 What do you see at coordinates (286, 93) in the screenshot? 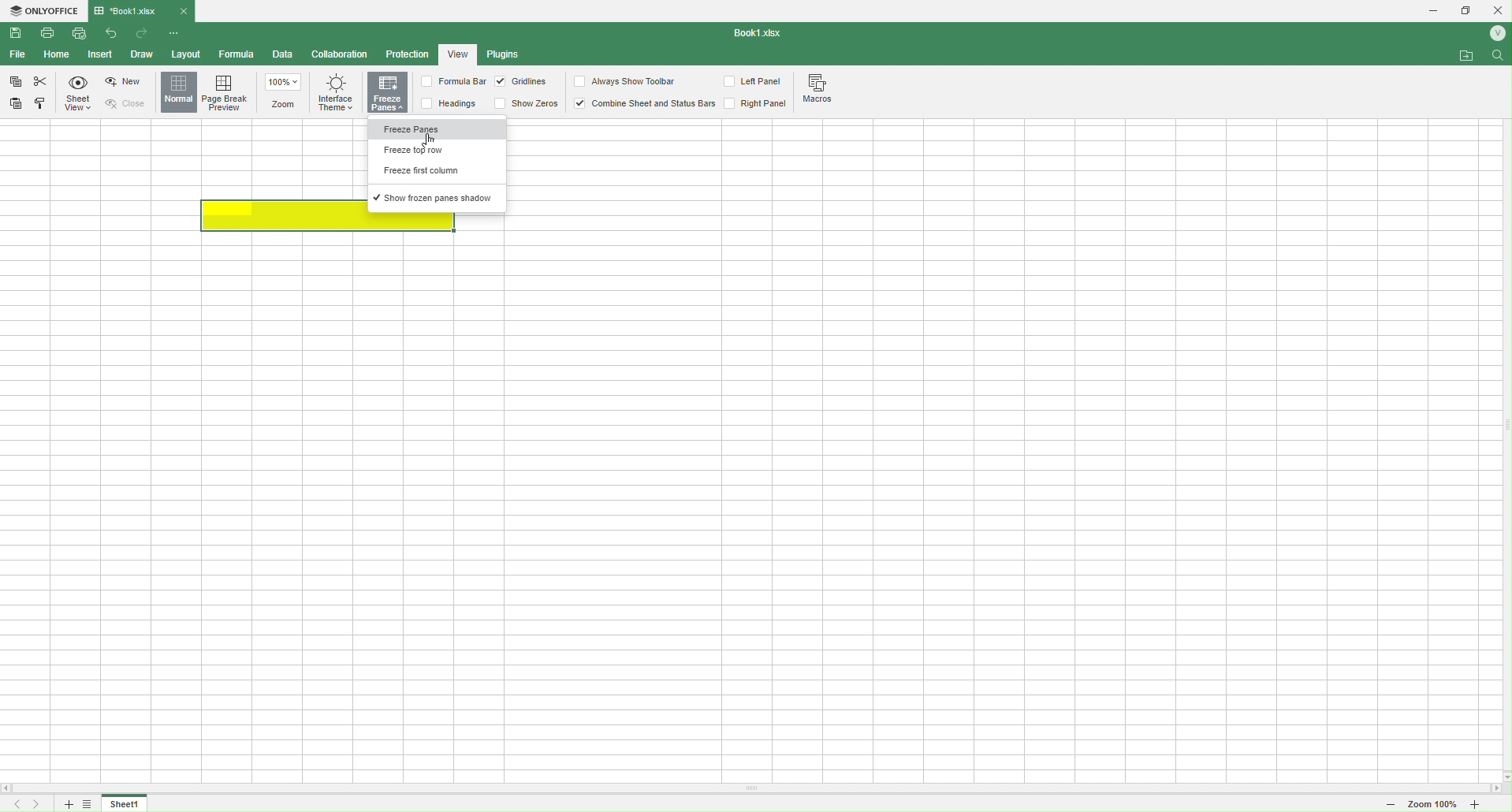
I see `Zoom` at bounding box center [286, 93].